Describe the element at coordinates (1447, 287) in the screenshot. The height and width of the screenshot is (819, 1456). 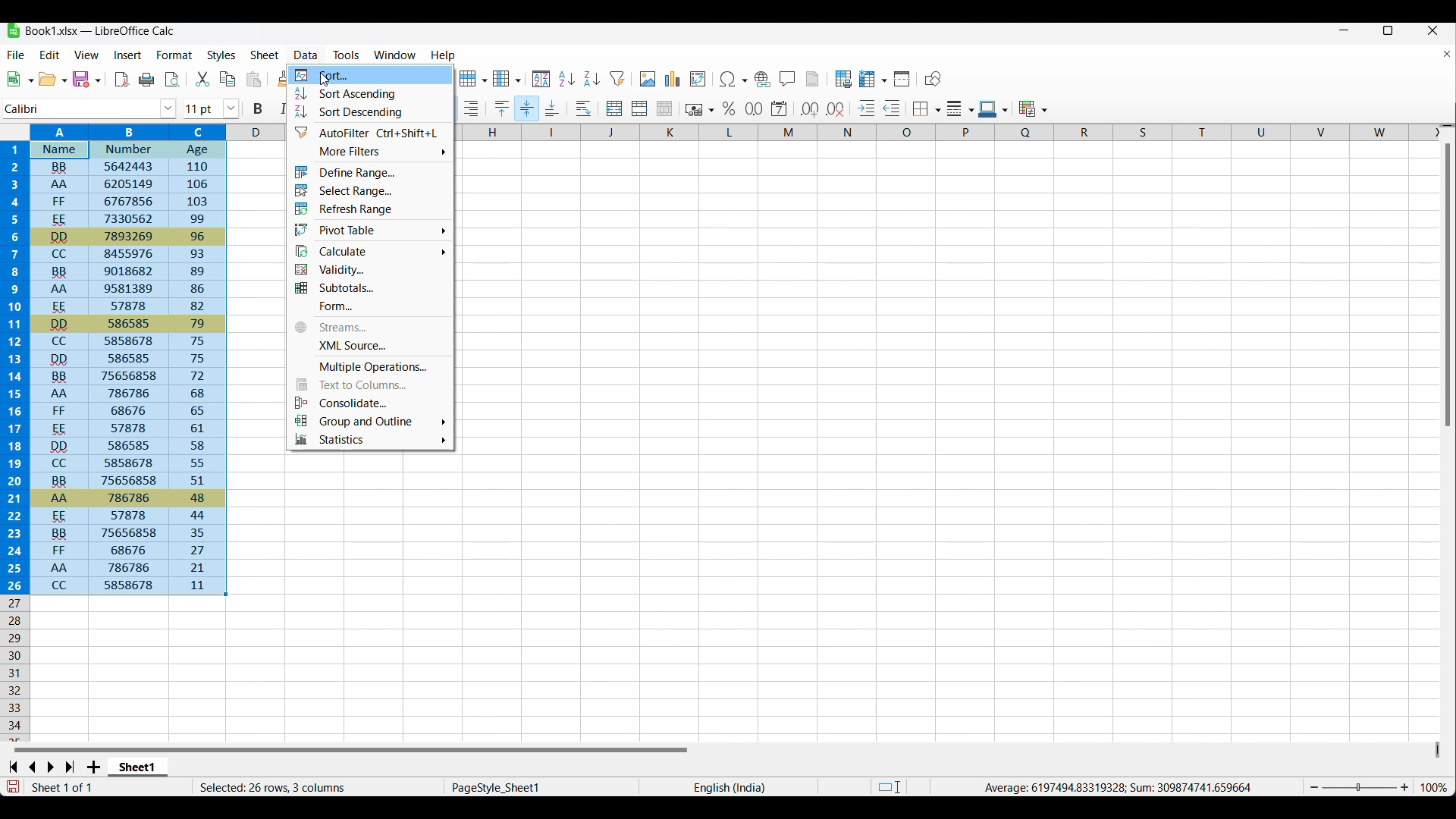
I see `vertical scroll bar` at that location.